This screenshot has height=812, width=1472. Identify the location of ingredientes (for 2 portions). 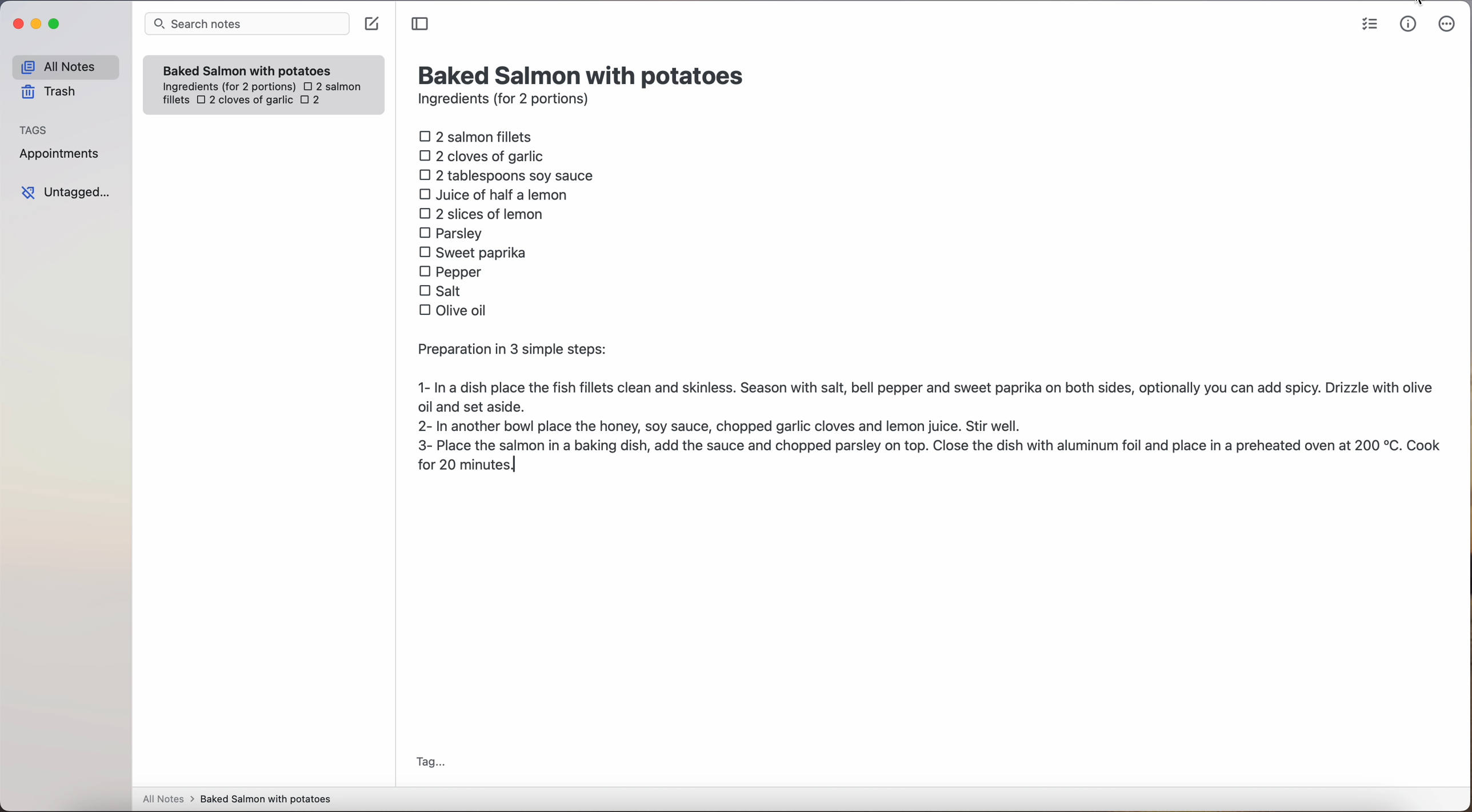
(227, 87).